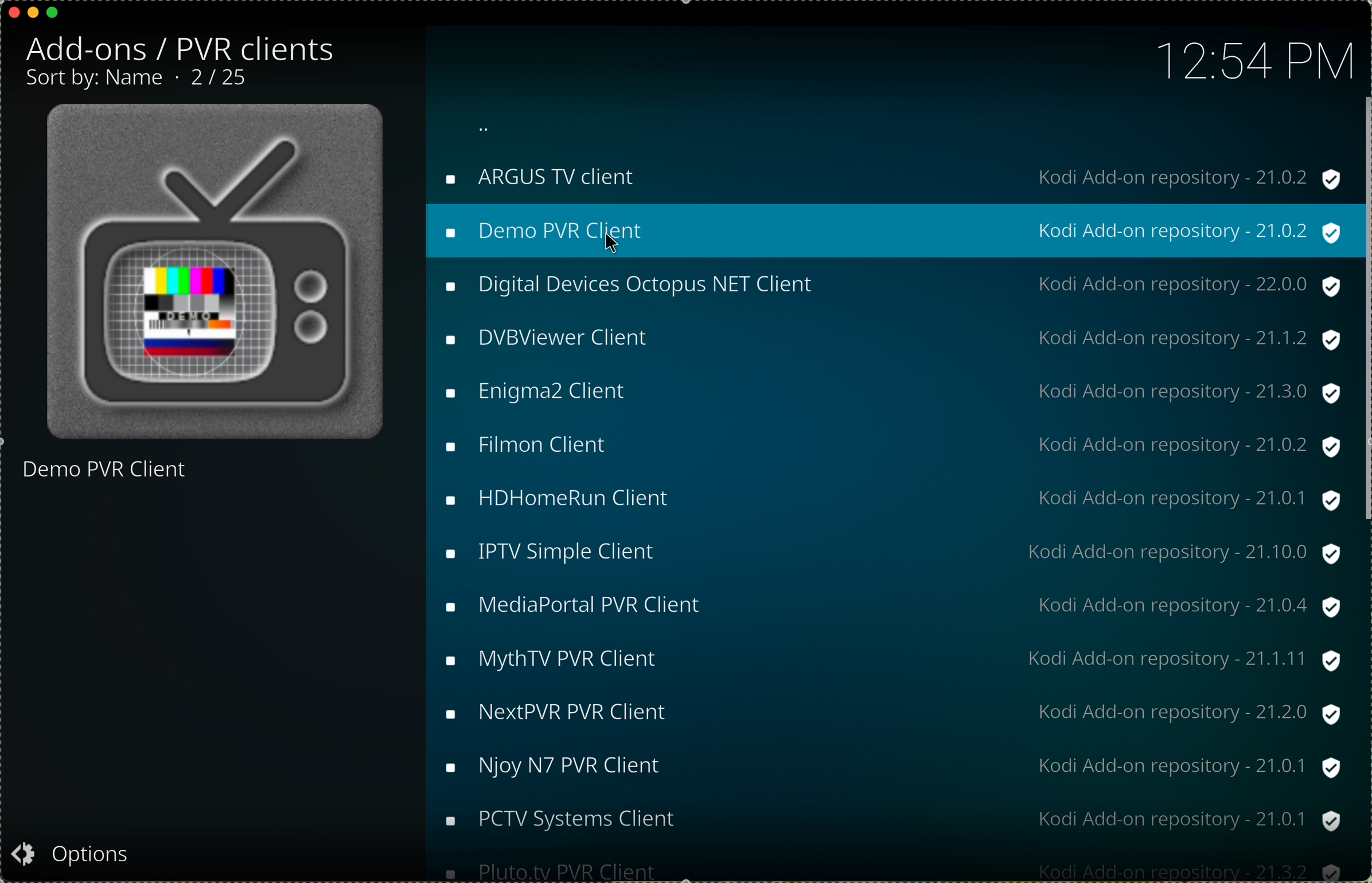 The height and width of the screenshot is (883, 1372). What do you see at coordinates (611, 241) in the screenshot?
I see `Cursor` at bounding box center [611, 241].